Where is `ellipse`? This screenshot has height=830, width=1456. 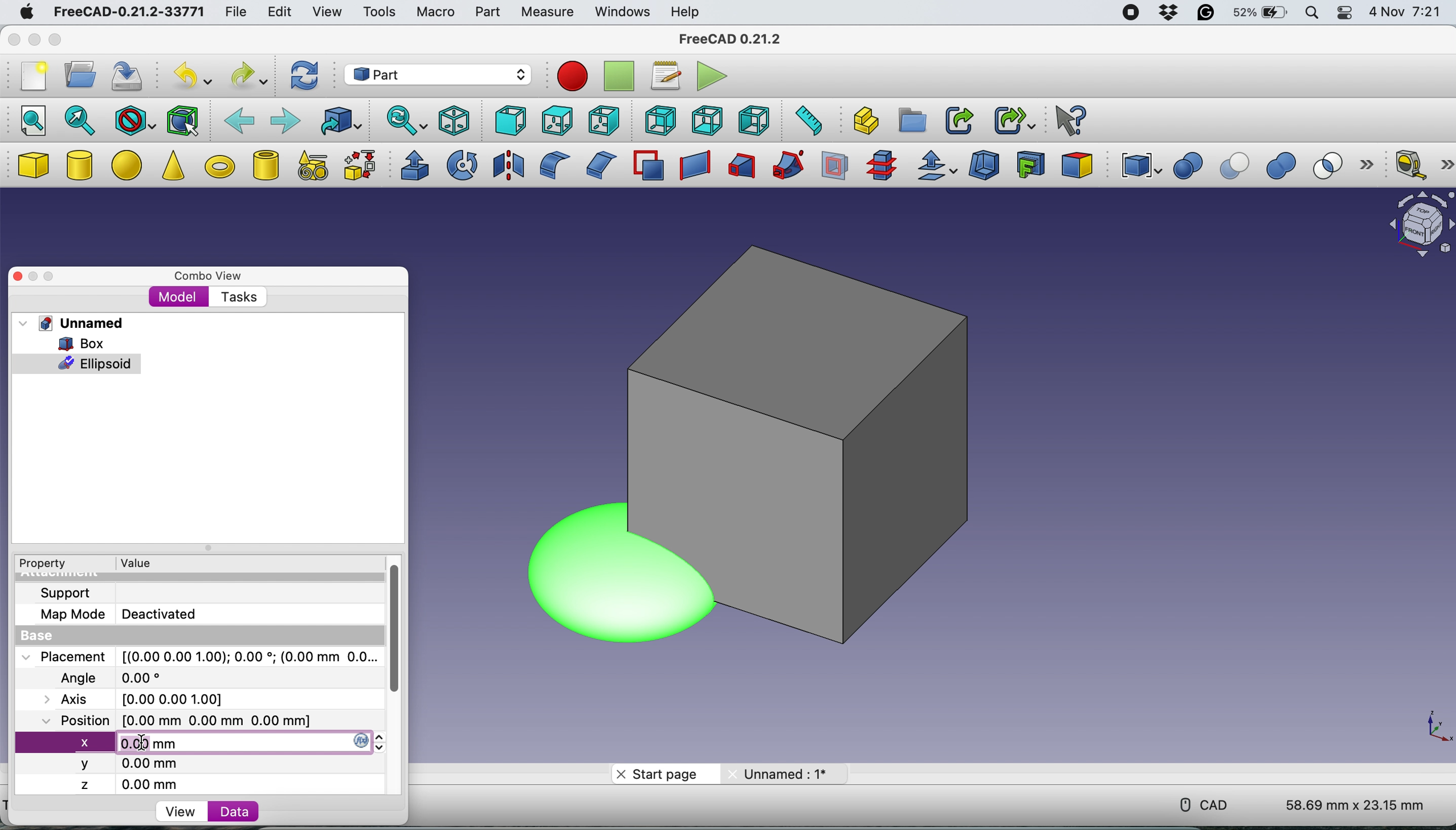
ellipse is located at coordinates (129, 164).